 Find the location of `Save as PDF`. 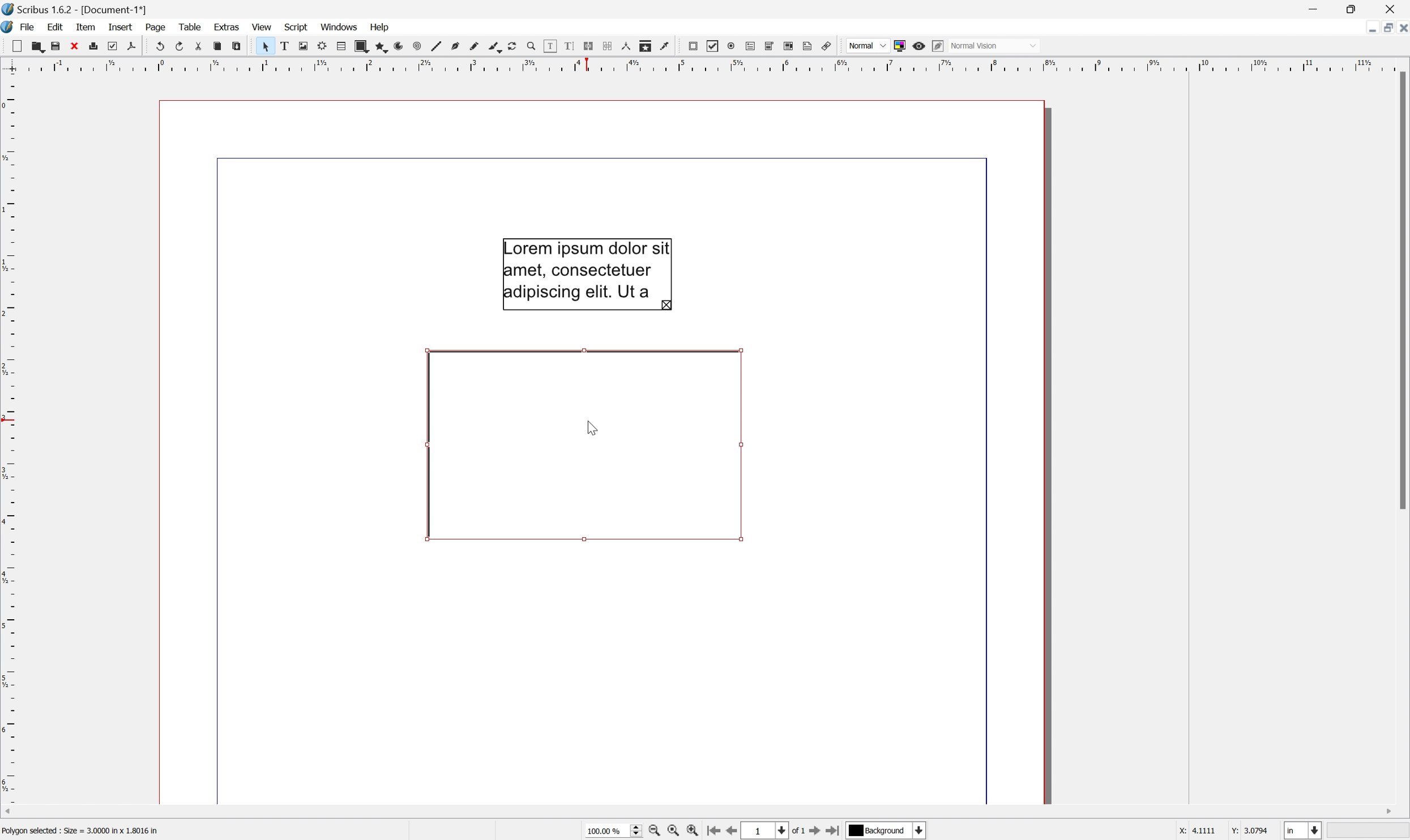

Save as PDF is located at coordinates (131, 48).